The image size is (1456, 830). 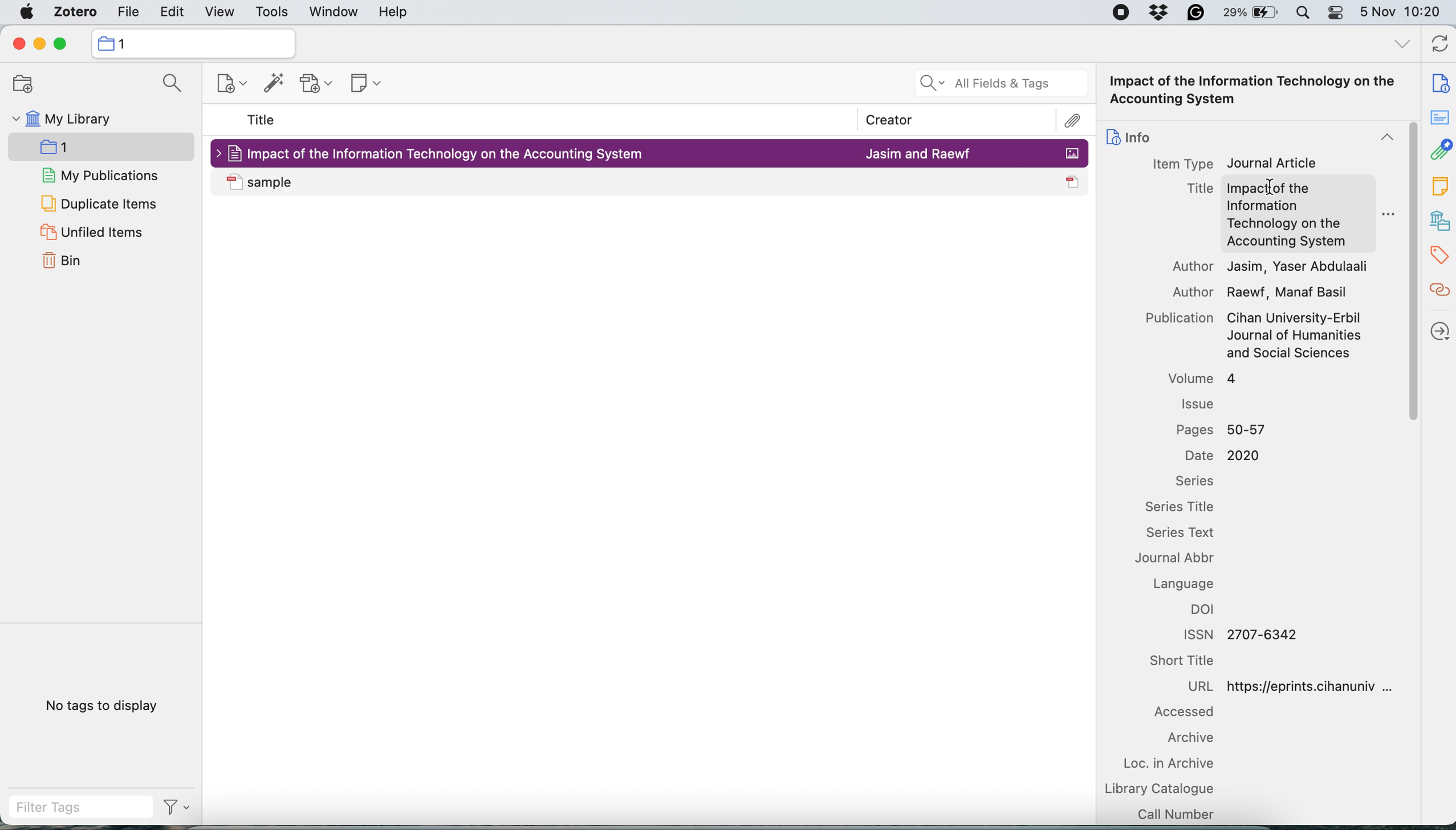 I want to click on archive, so click(x=1190, y=738).